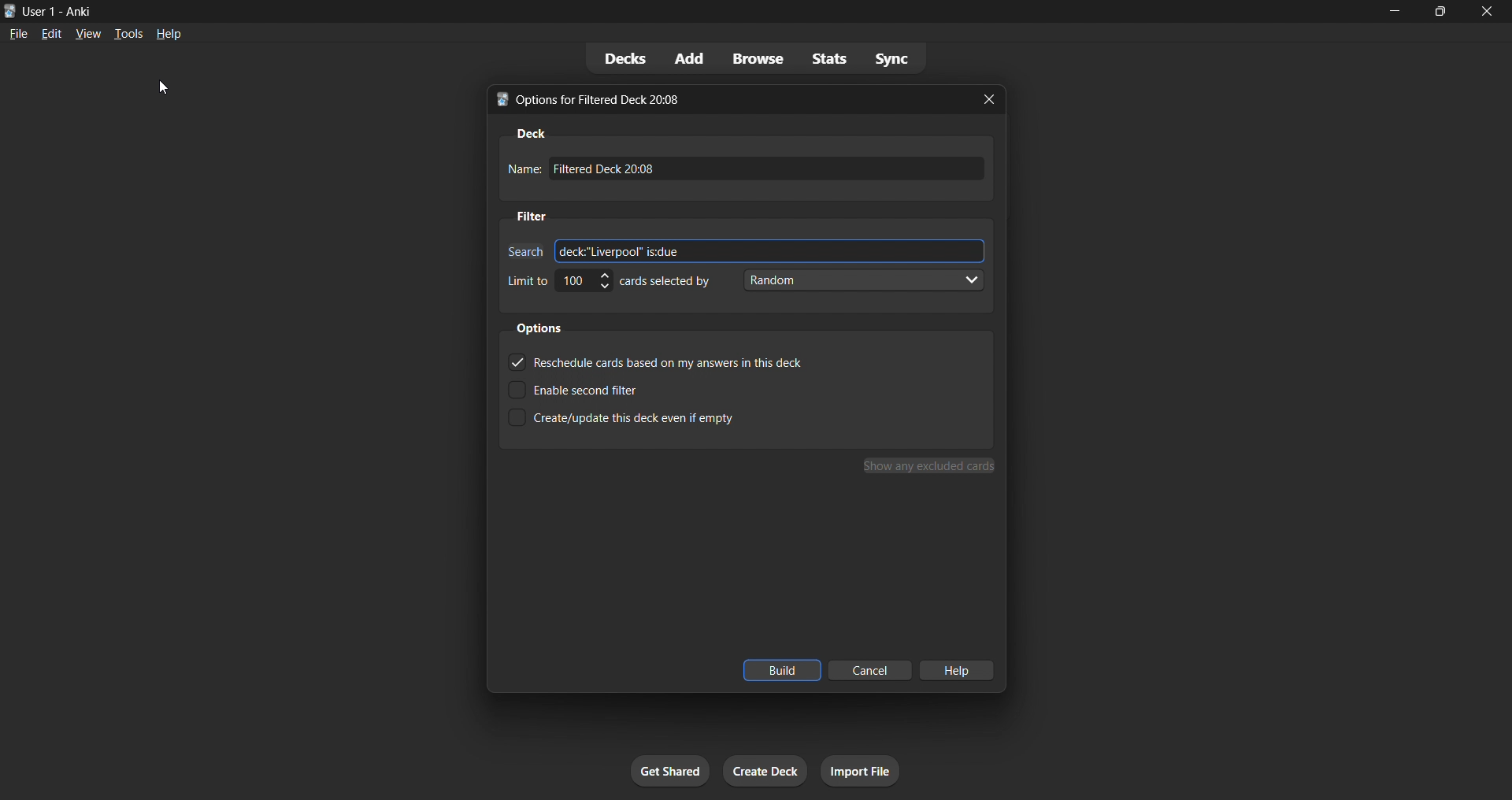 The width and height of the screenshot is (1512, 800). Describe the element at coordinates (584, 283) in the screenshot. I see `card limit` at that location.